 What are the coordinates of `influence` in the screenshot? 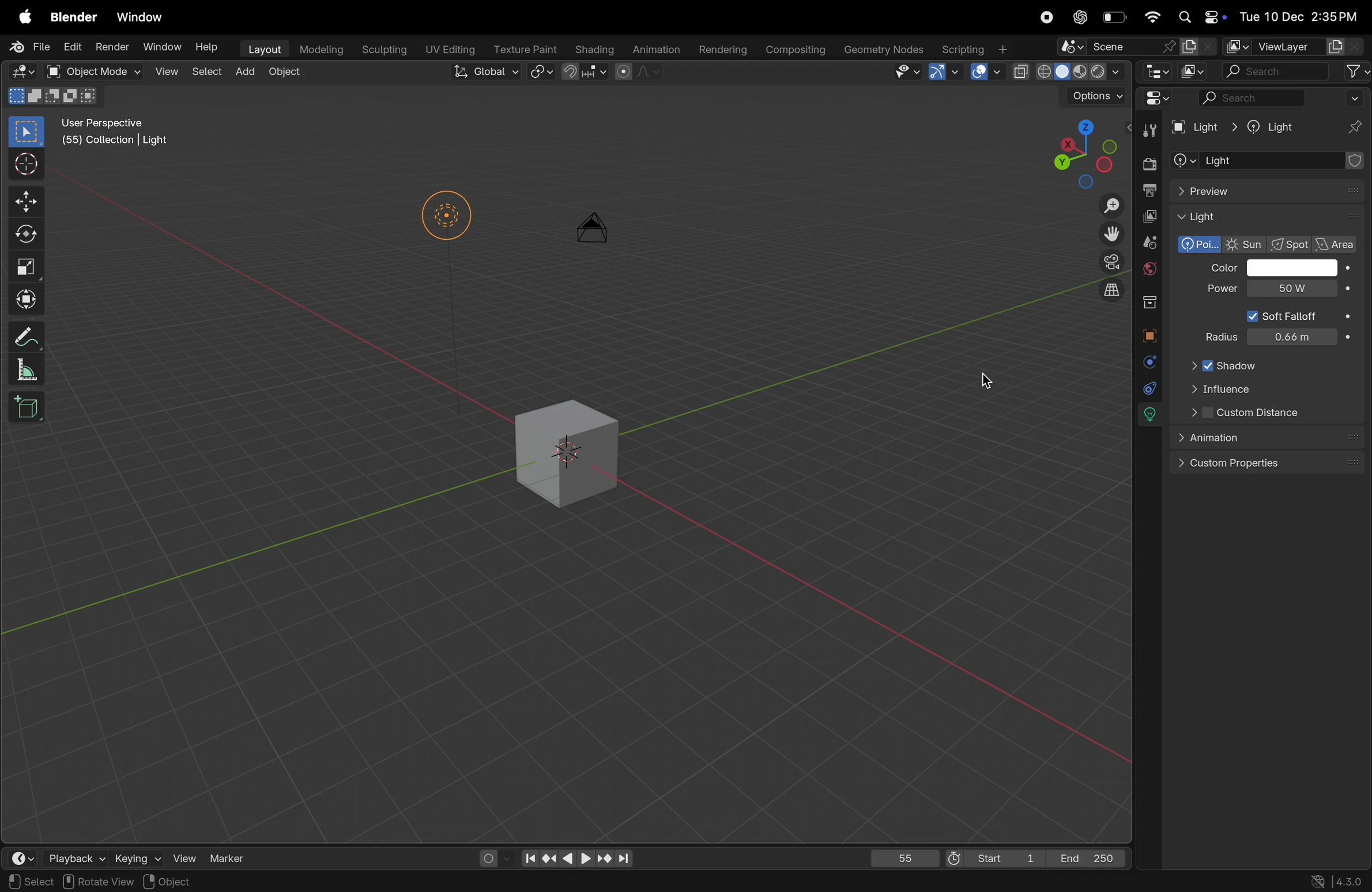 It's located at (1253, 388).